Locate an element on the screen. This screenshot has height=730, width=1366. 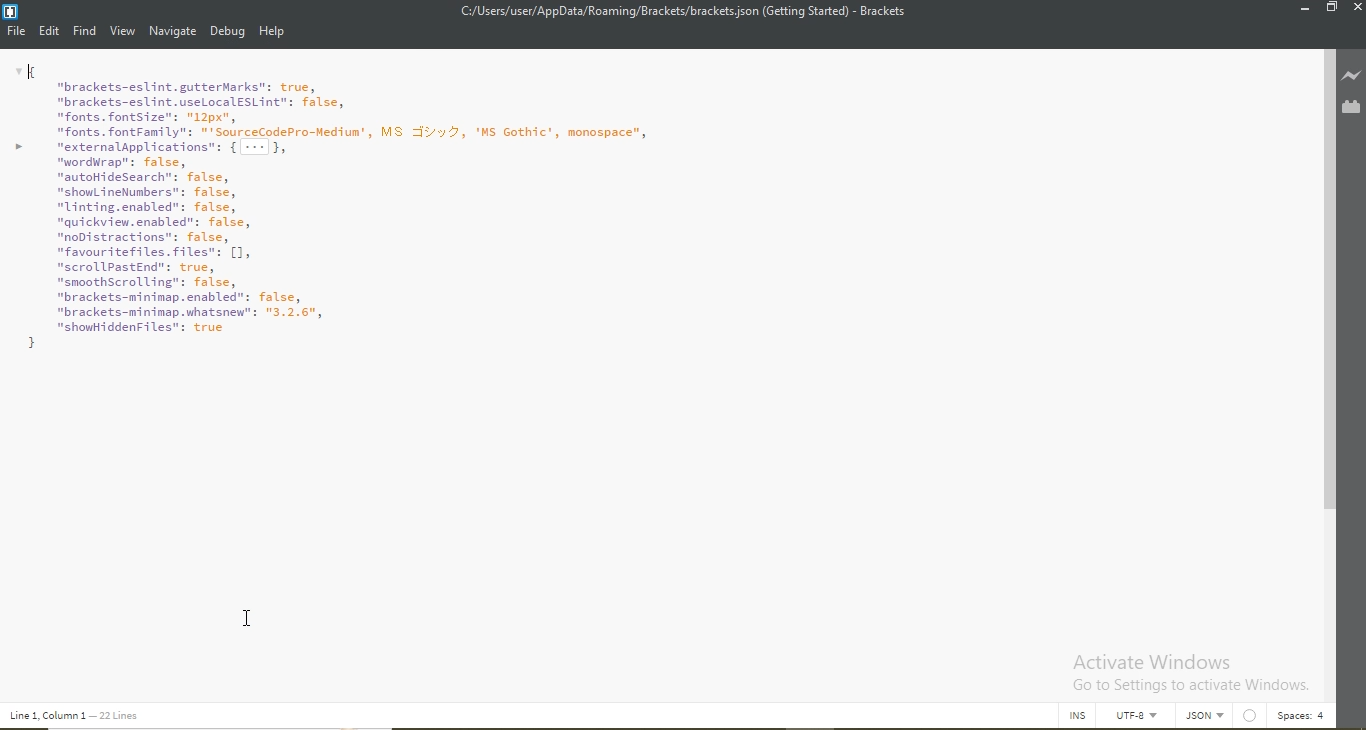
Logo is located at coordinates (11, 13).